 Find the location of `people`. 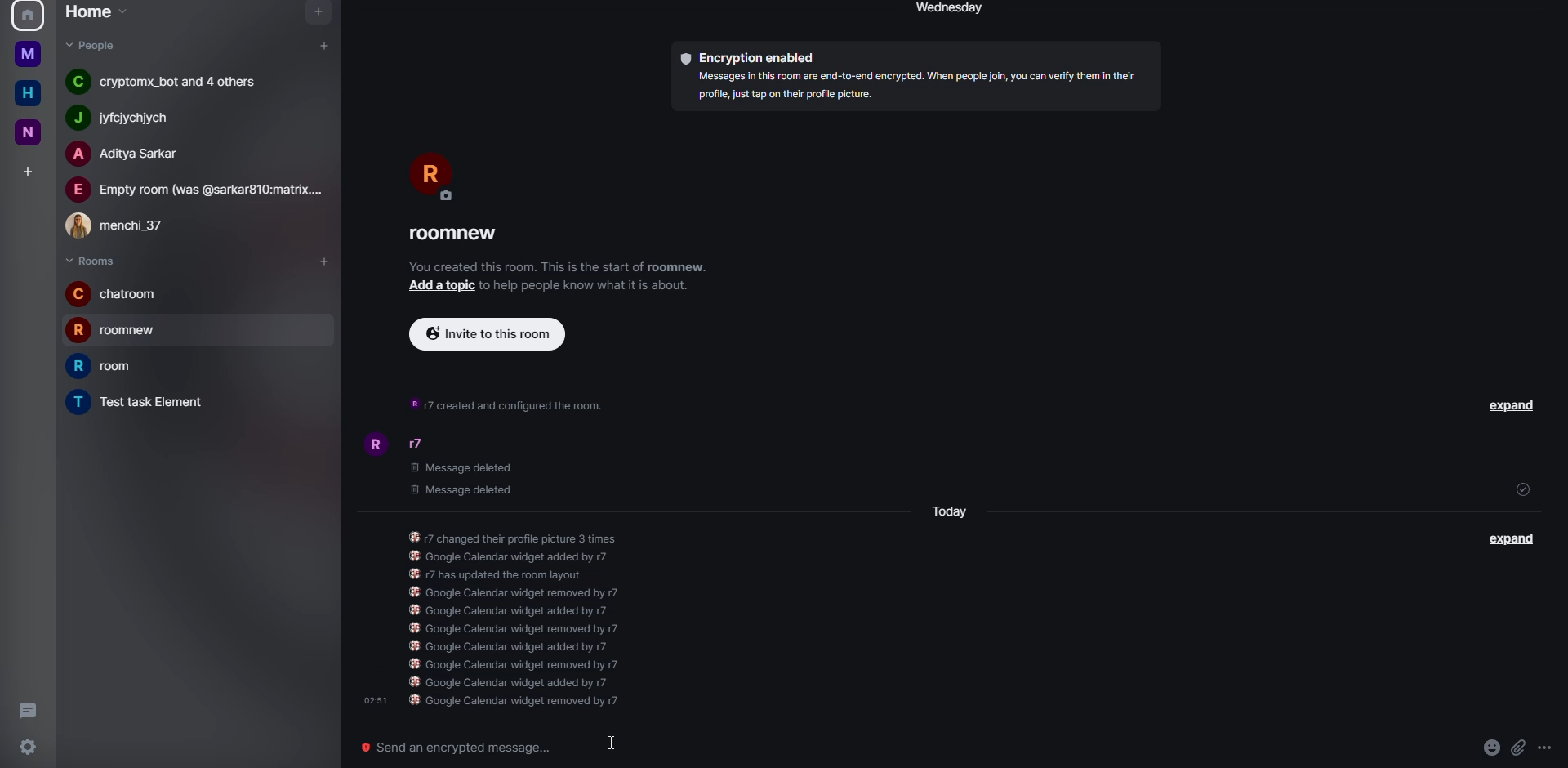

people is located at coordinates (122, 225).